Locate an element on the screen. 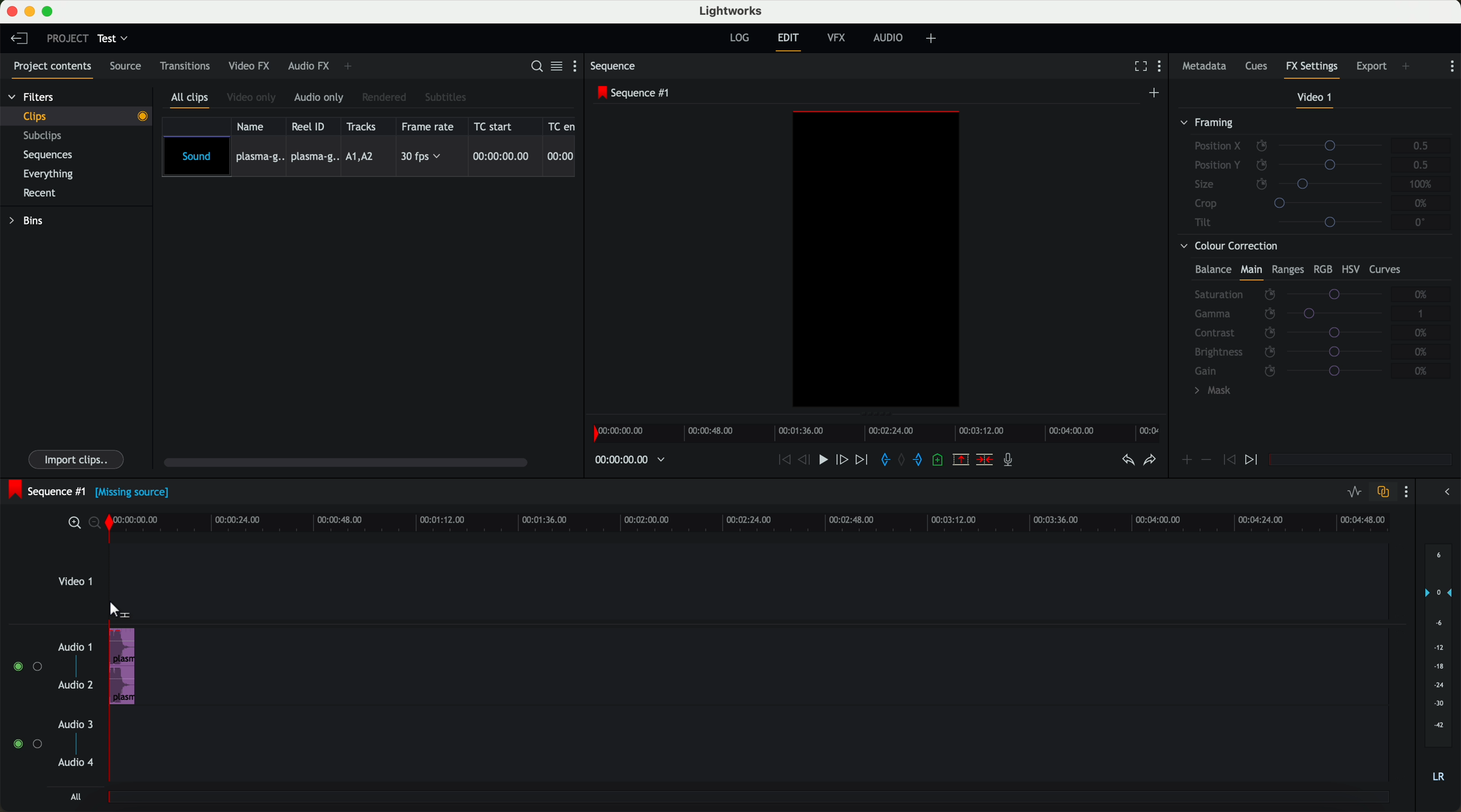 The image size is (1461, 812). all clips is located at coordinates (192, 99).